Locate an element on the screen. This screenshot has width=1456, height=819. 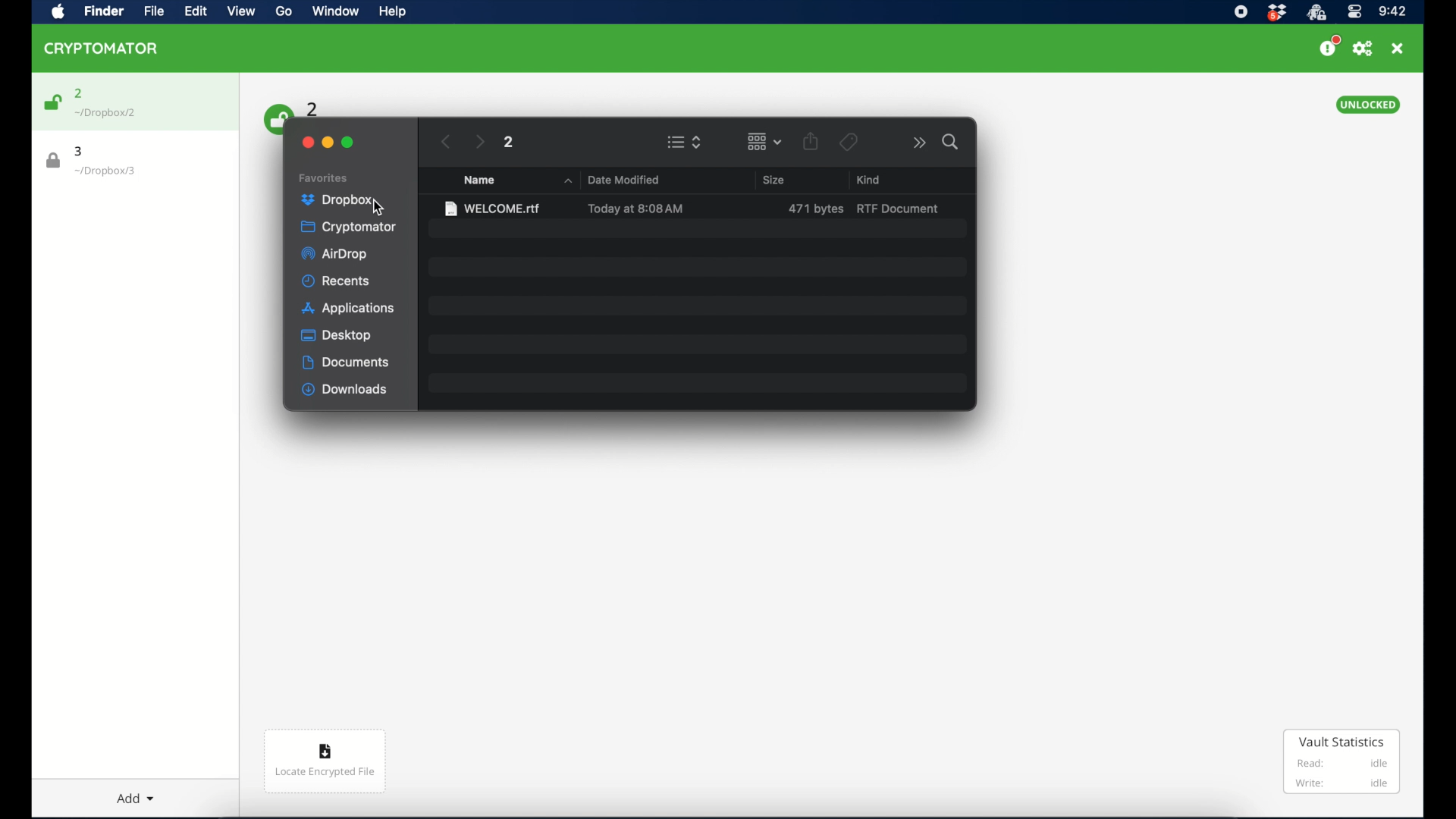
cursor is located at coordinates (380, 210).